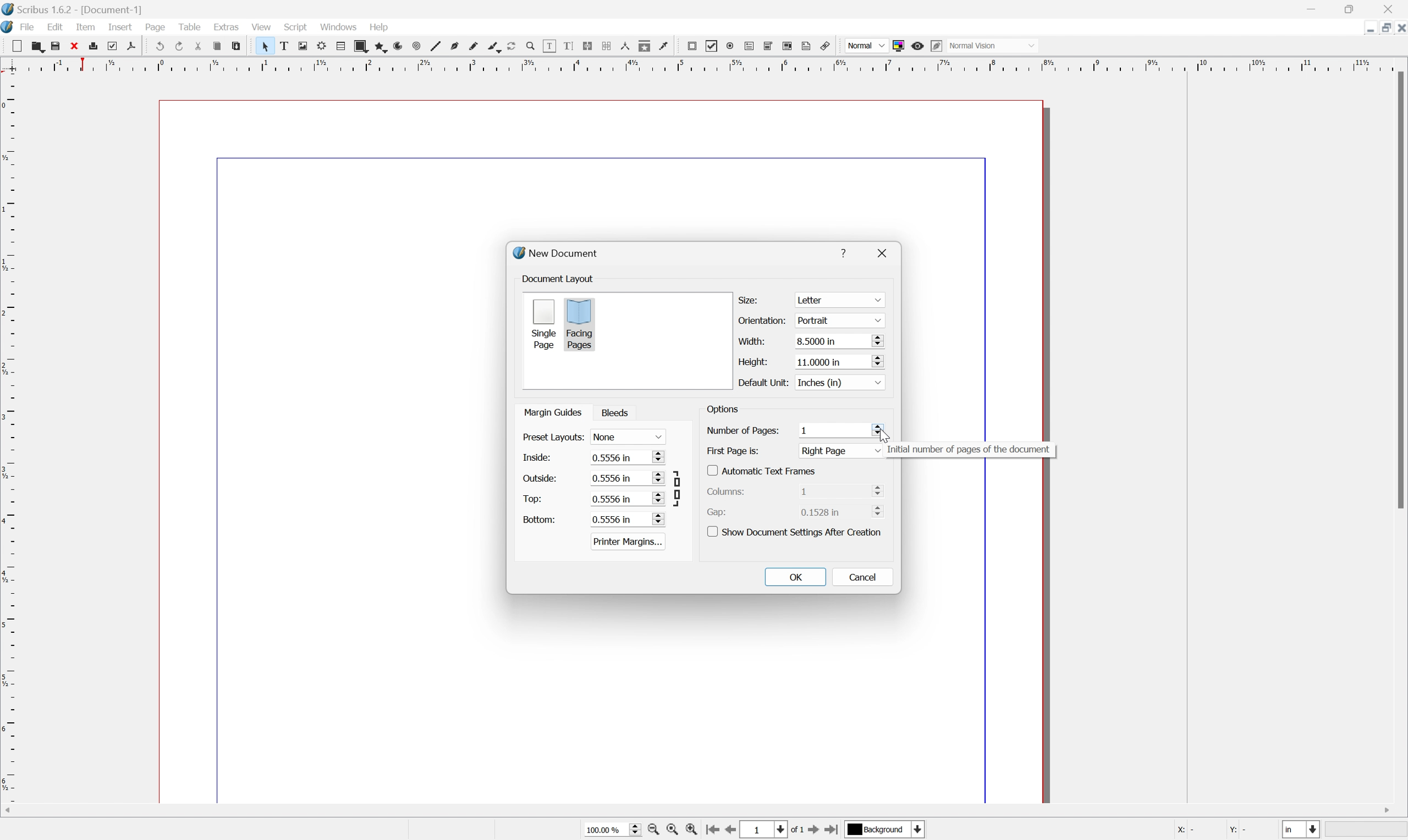 The height and width of the screenshot is (840, 1408). Describe the element at coordinates (59, 46) in the screenshot. I see `Save` at that location.